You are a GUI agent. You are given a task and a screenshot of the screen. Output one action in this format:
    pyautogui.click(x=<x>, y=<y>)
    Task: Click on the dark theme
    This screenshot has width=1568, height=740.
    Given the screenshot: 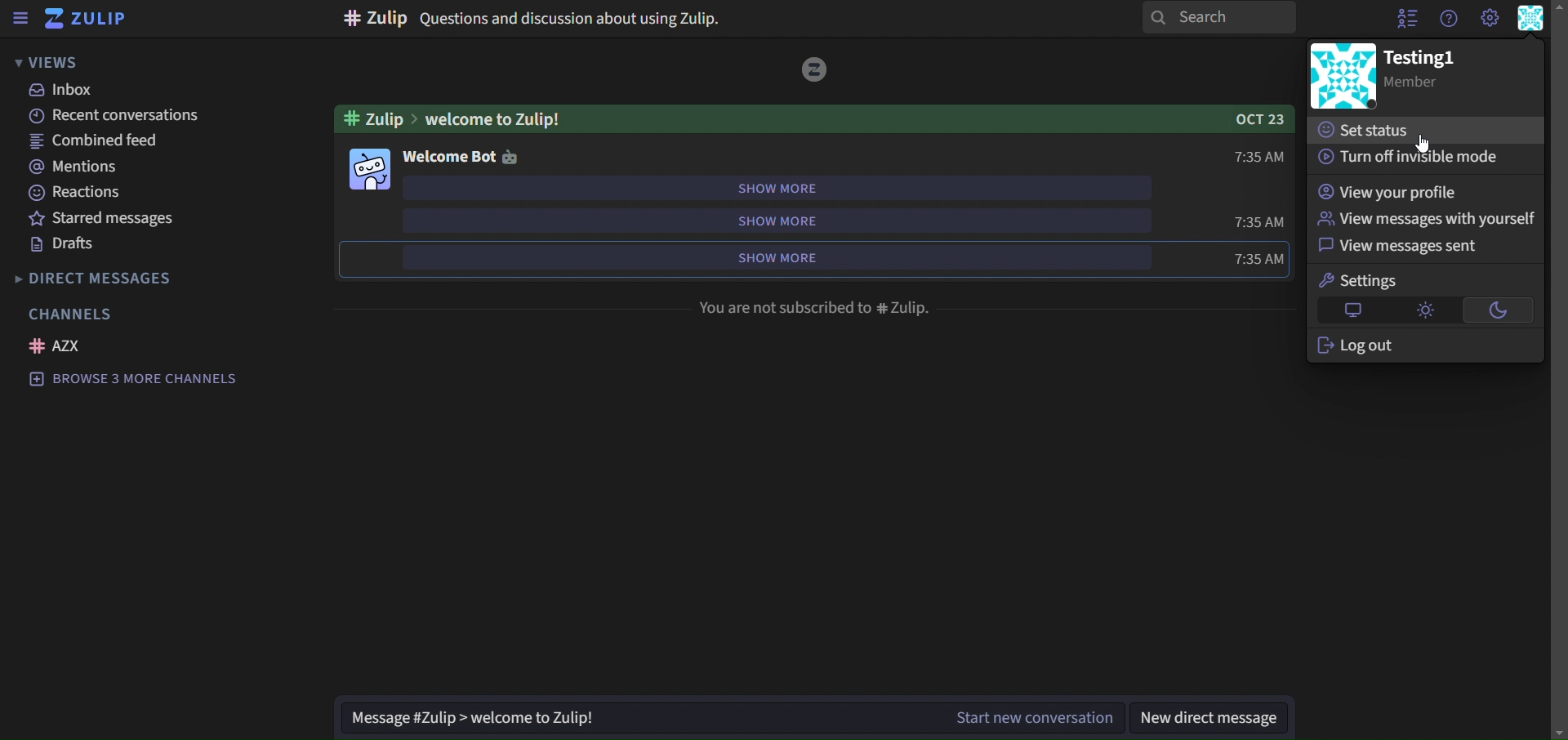 What is the action you would take?
    pyautogui.click(x=1499, y=309)
    